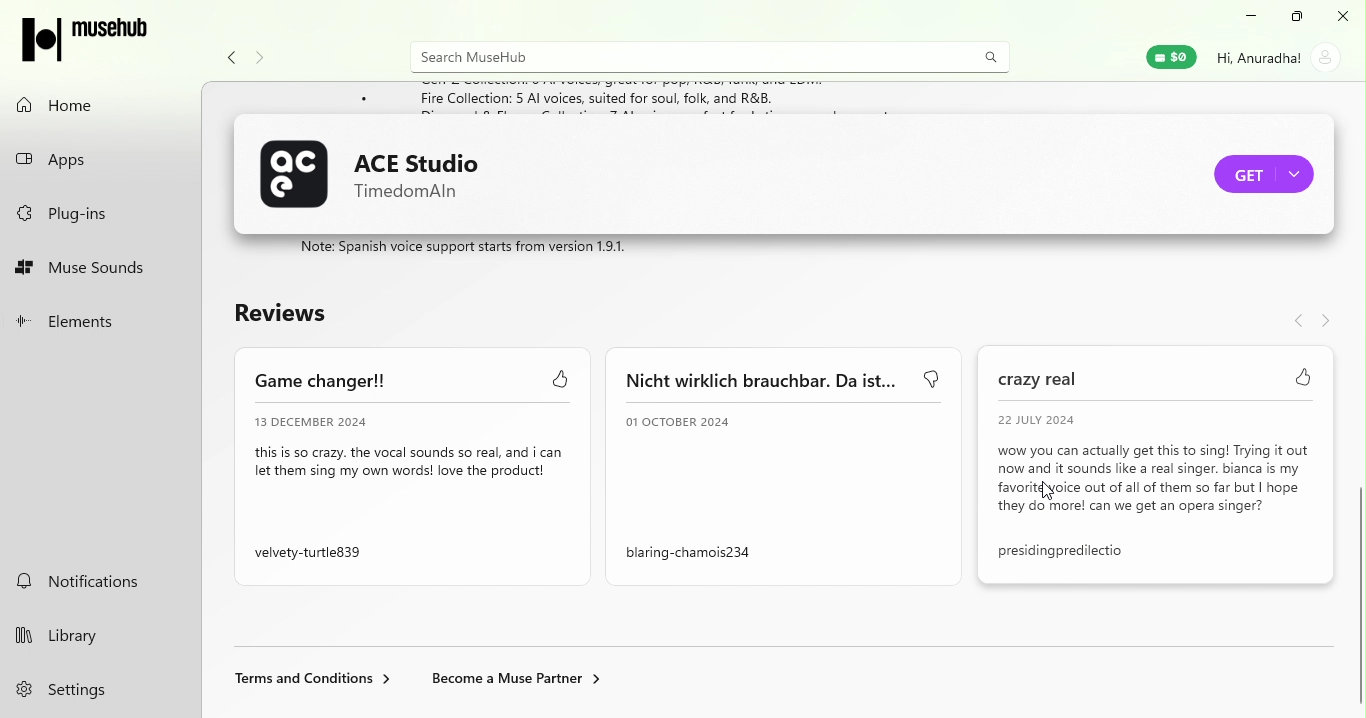 Image resolution: width=1366 pixels, height=718 pixels. What do you see at coordinates (1263, 171) in the screenshot?
I see `Purchase ACE studio` at bounding box center [1263, 171].